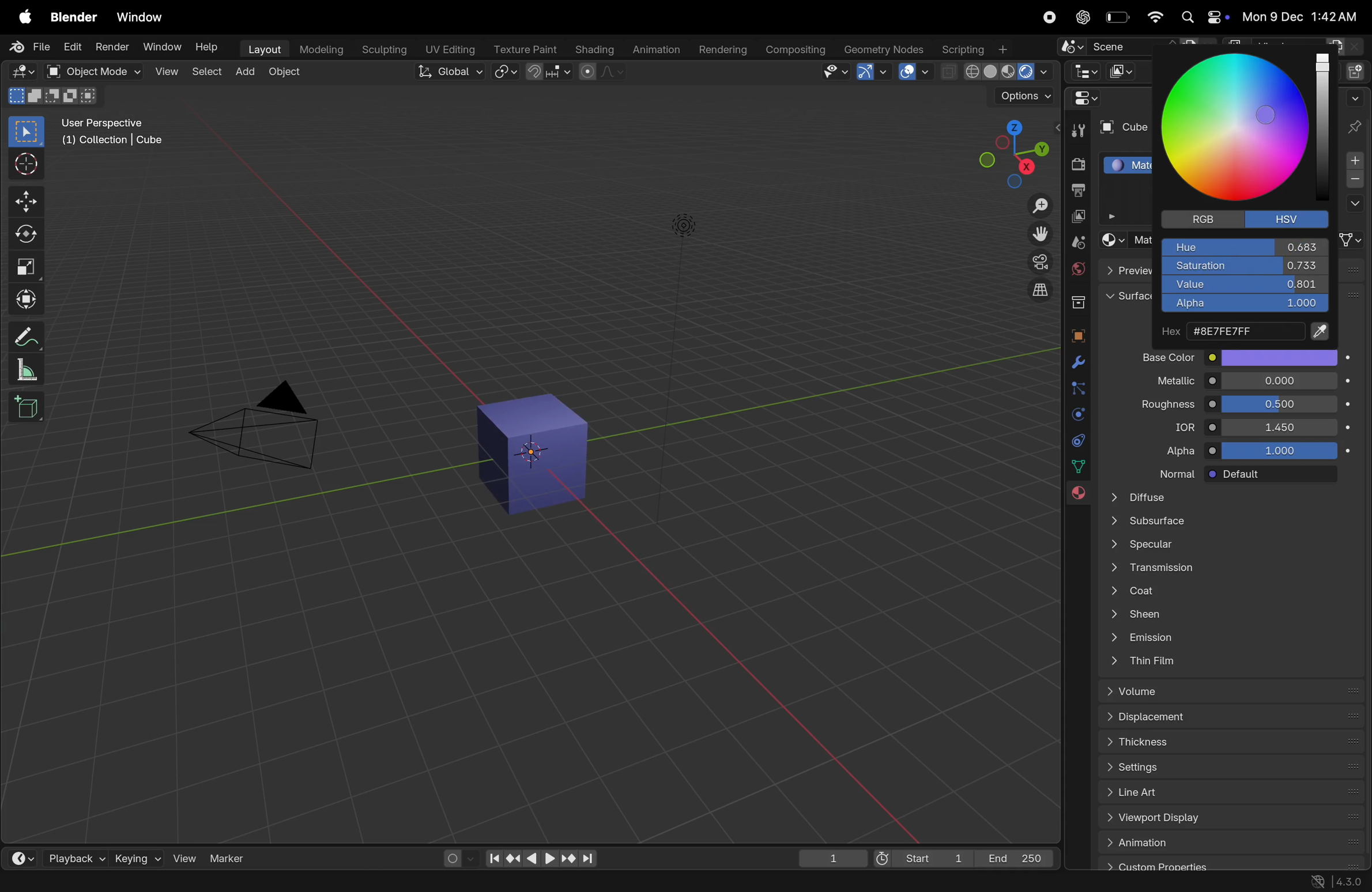 This screenshot has height=892, width=1372. Describe the element at coordinates (1227, 691) in the screenshot. I see `volume` at that location.